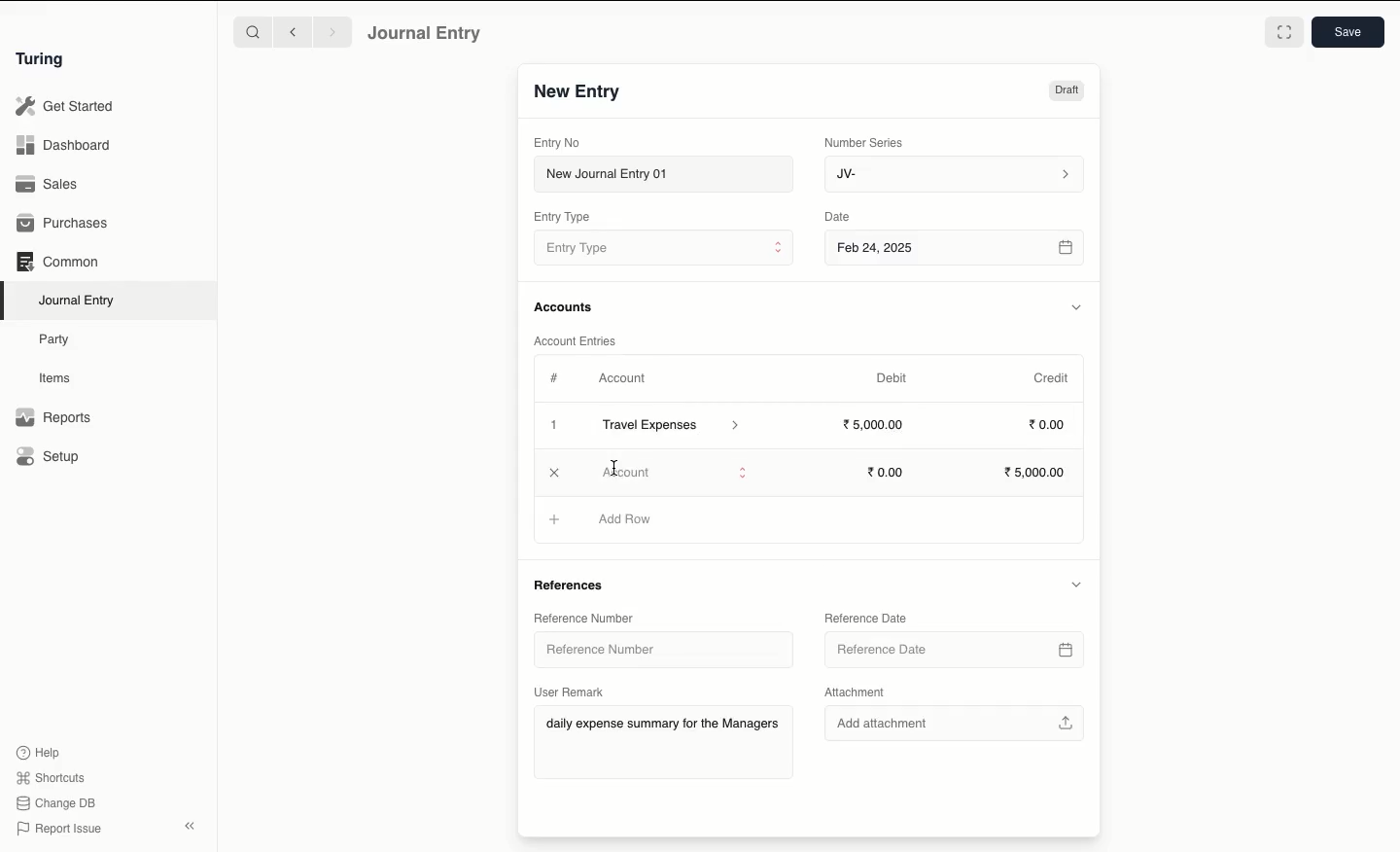  Describe the element at coordinates (1039, 473) in the screenshot. I see `5,000.00` at that location.